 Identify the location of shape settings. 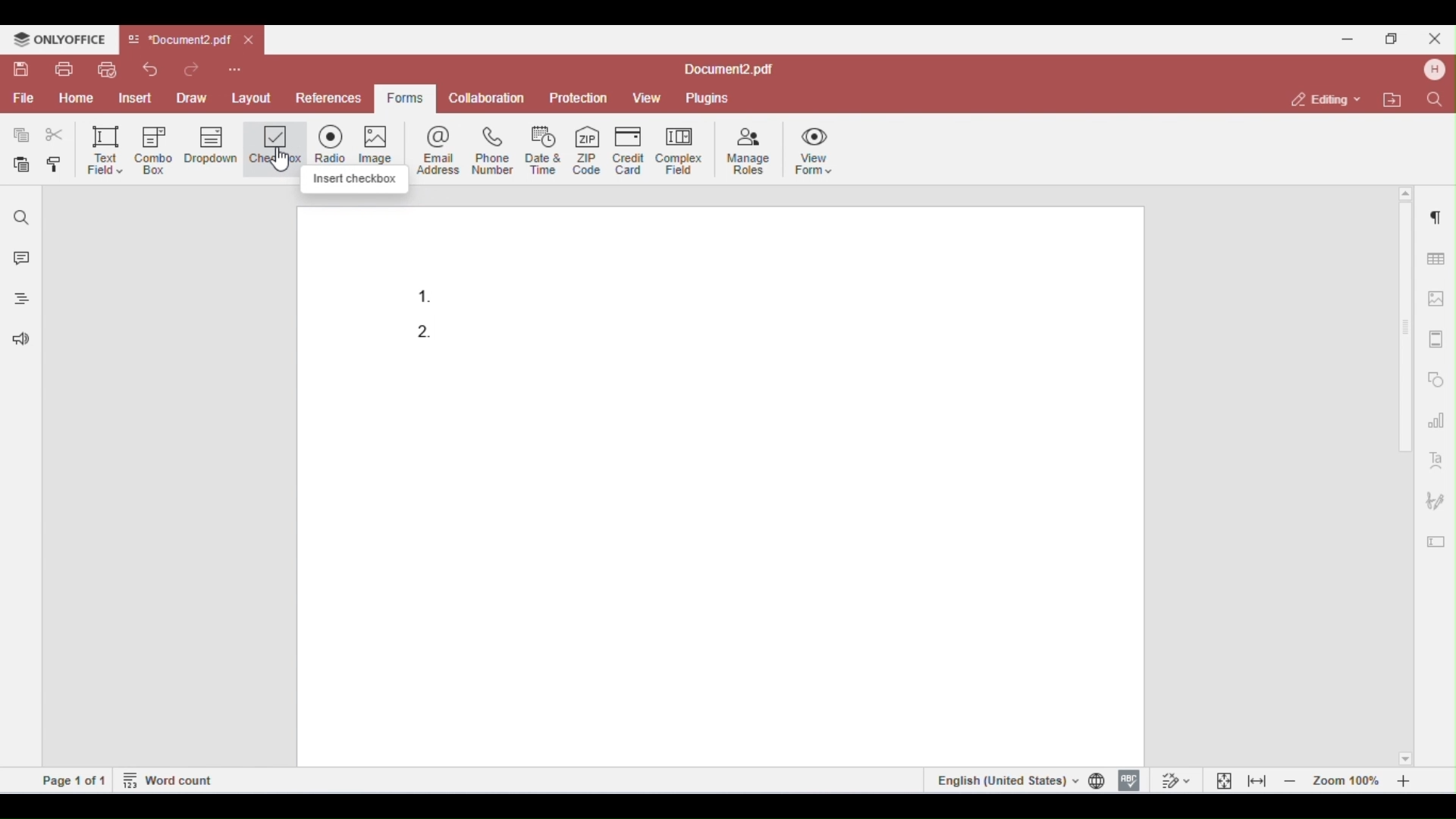
(1436, 376).